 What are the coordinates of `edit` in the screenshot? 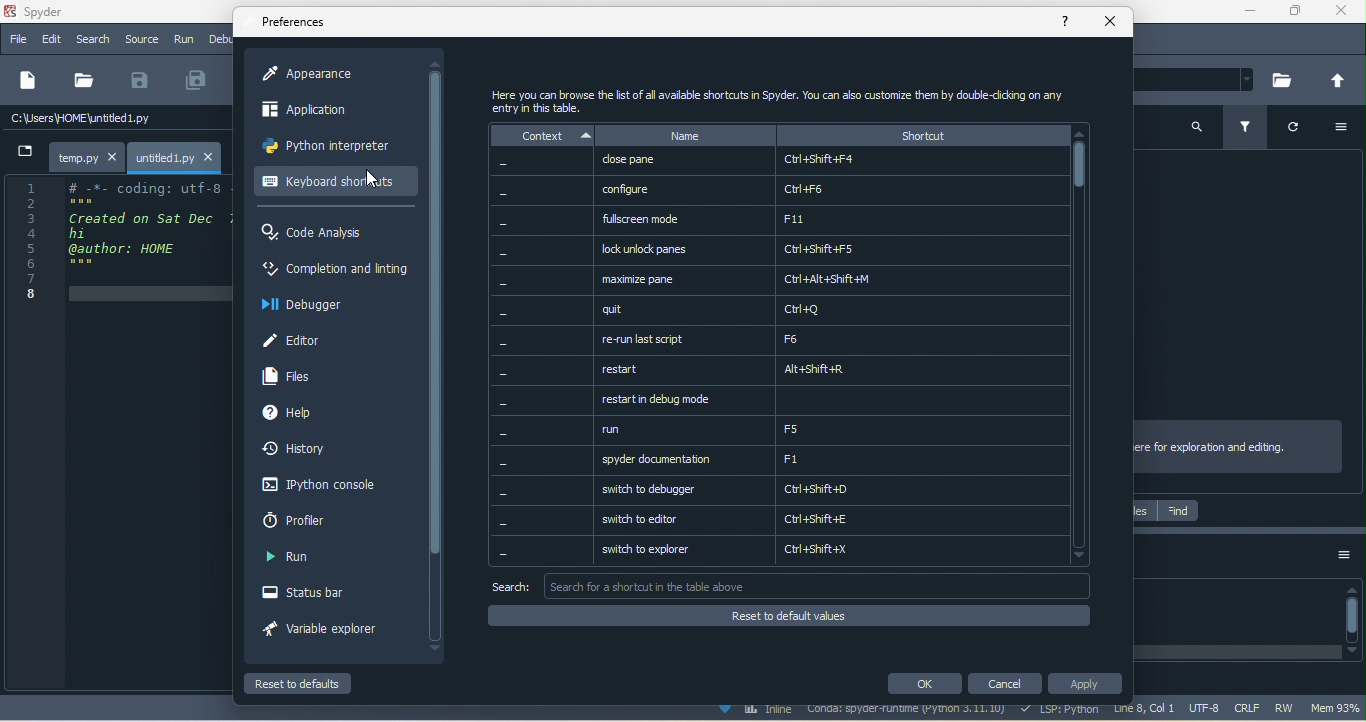 It's located at (50, 40).